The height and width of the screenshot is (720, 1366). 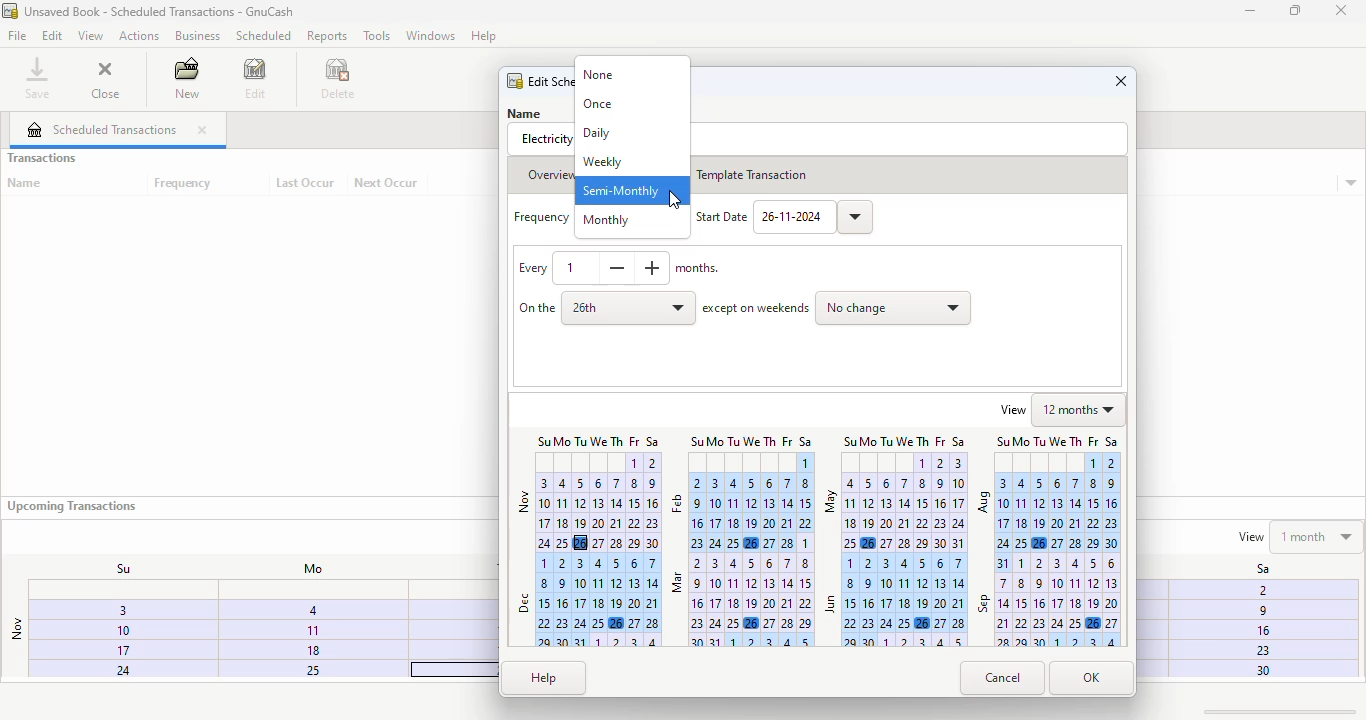 I want to click on view 1 month, so click(x=1298, y=535).